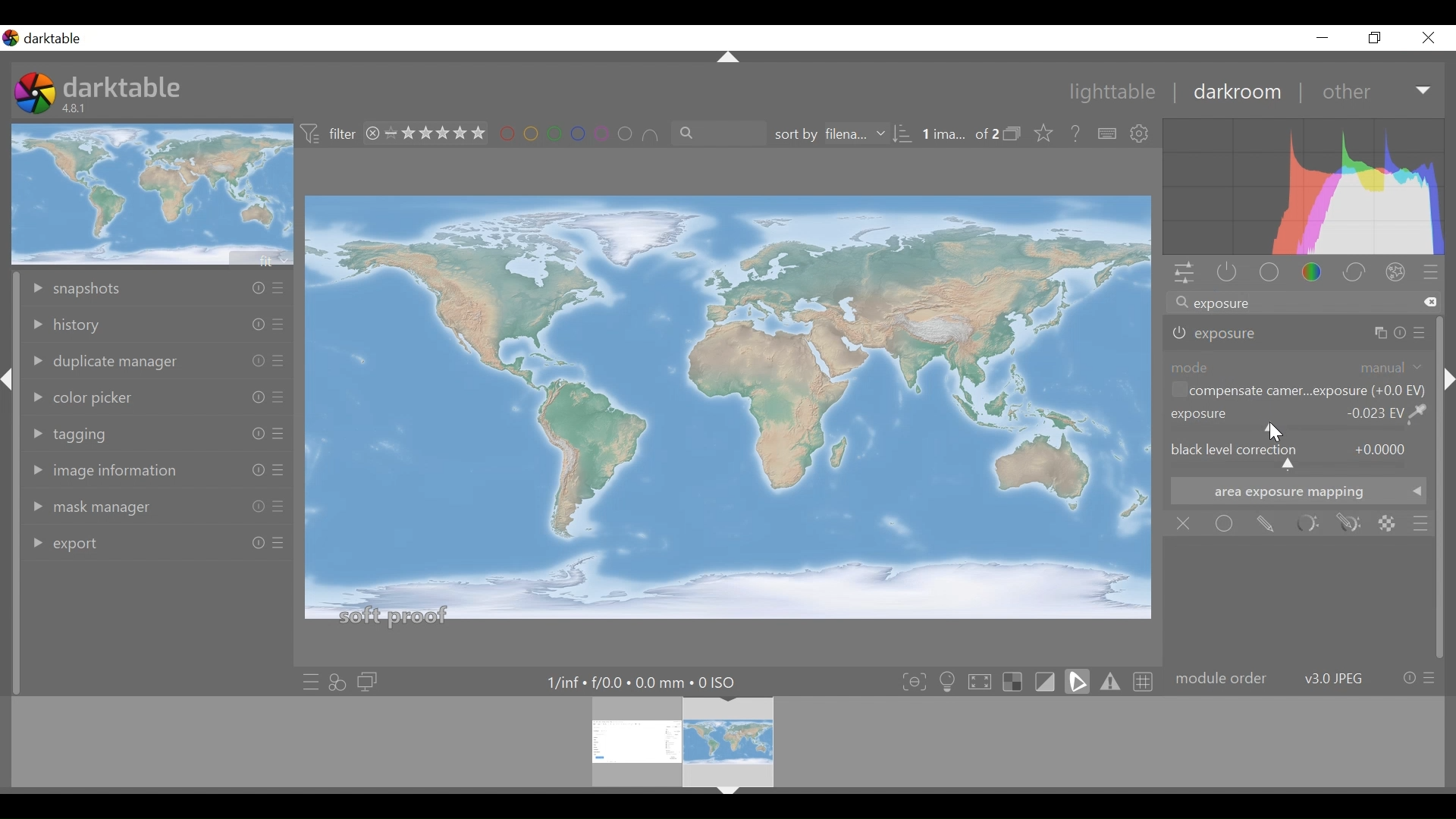 The height and width of the screenshot is (819, 1456). What do you see at coordinates (1298, 457) in the screenshot?
I see `black level correction` at bounding box center [1298, 457].